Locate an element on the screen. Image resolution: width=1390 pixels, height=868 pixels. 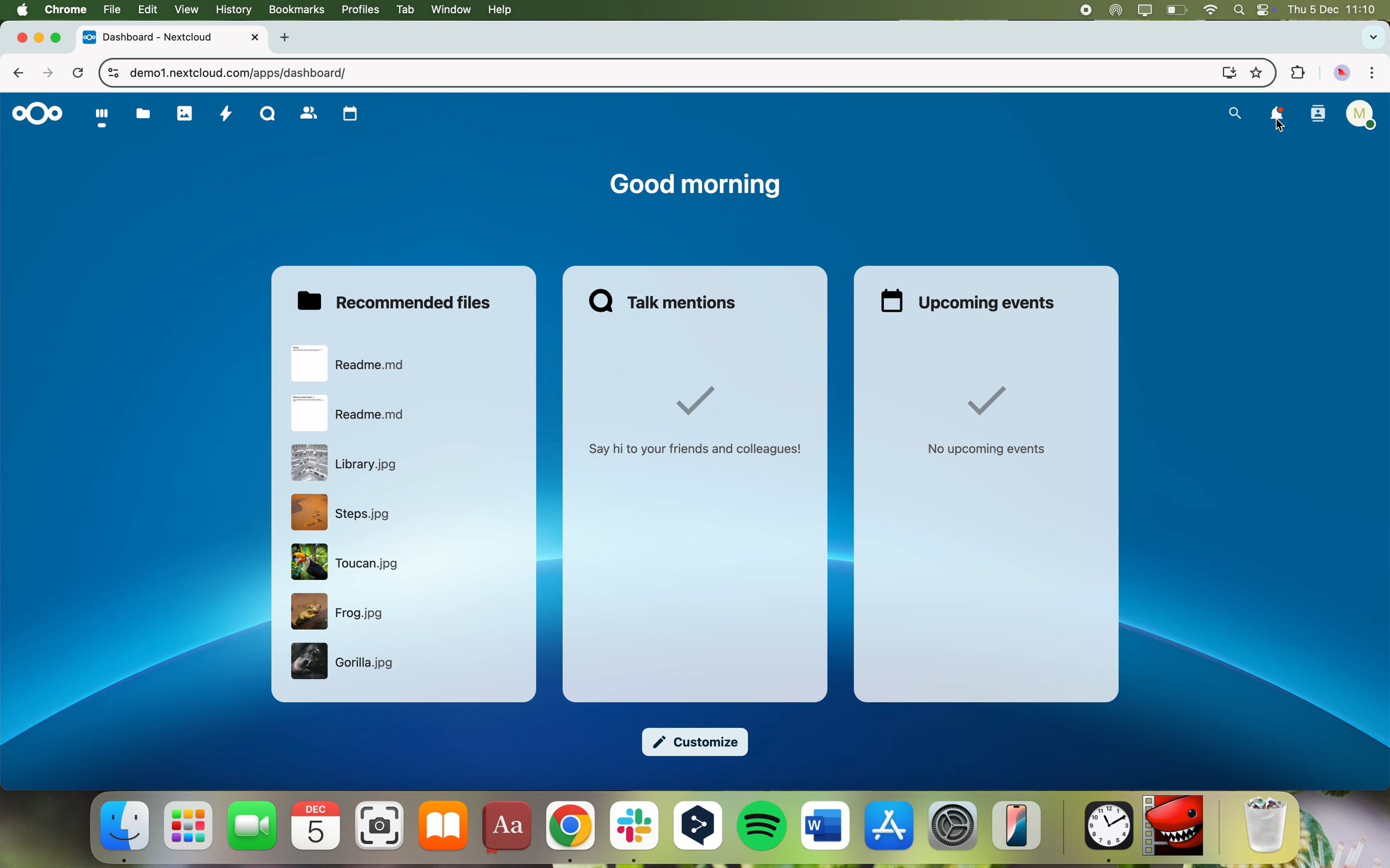
Slack is located at coordinates (633, 834).